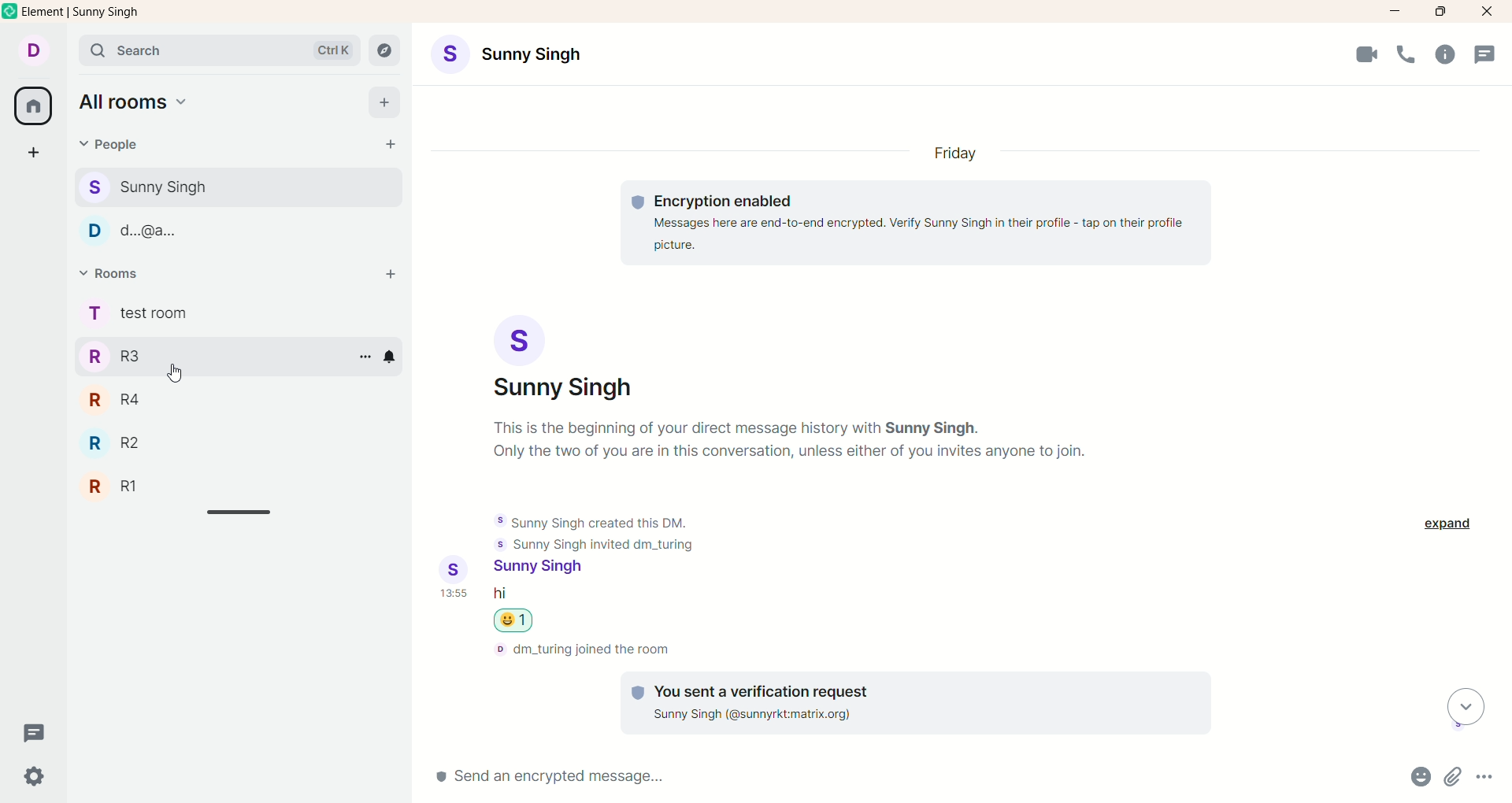 Image resolution: width=1512 pixels, height=803 pixels. I want to click on account, so click(35, 52).